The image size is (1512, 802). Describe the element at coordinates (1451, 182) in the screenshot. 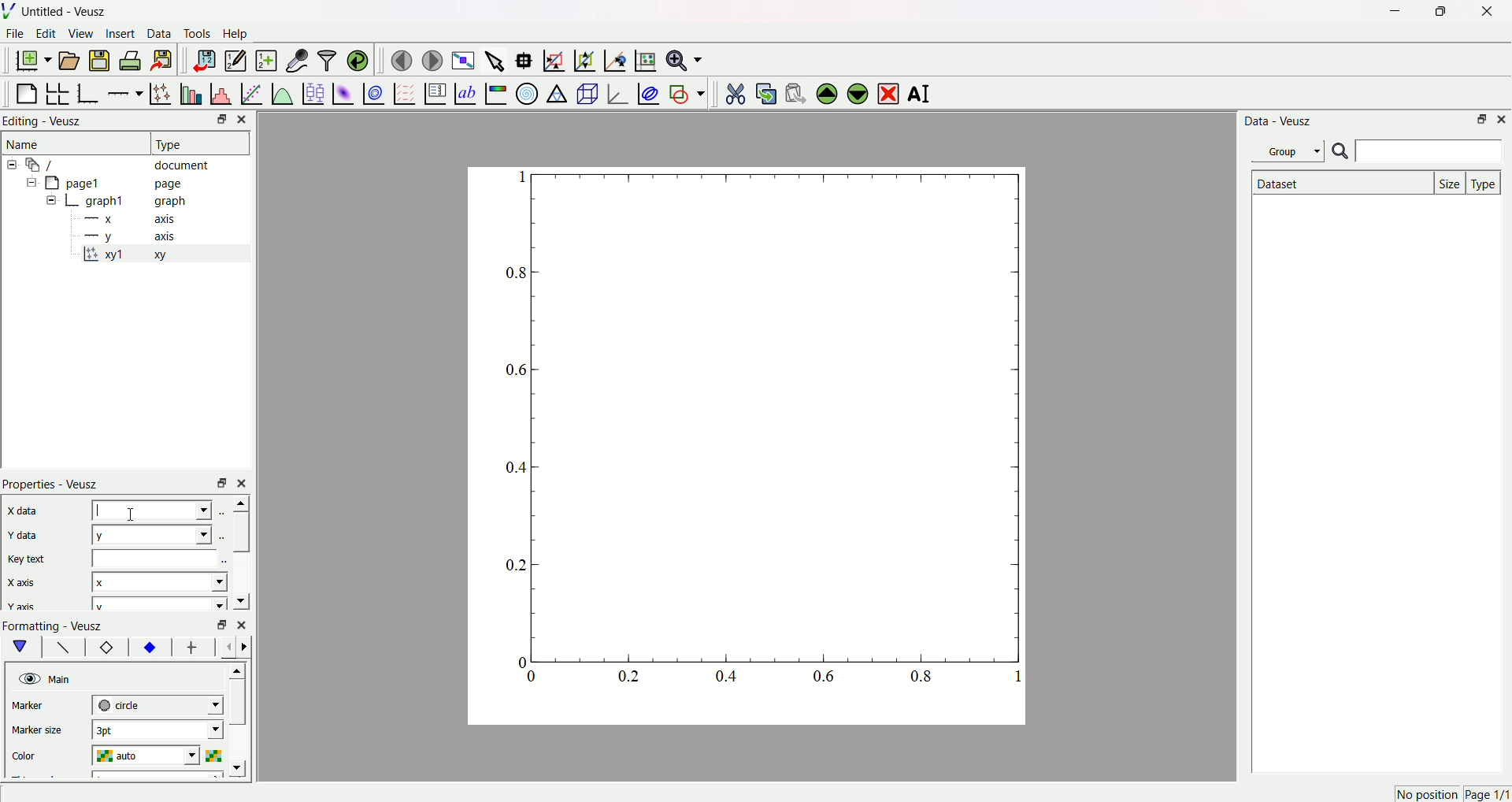

I see `Size` at that location.